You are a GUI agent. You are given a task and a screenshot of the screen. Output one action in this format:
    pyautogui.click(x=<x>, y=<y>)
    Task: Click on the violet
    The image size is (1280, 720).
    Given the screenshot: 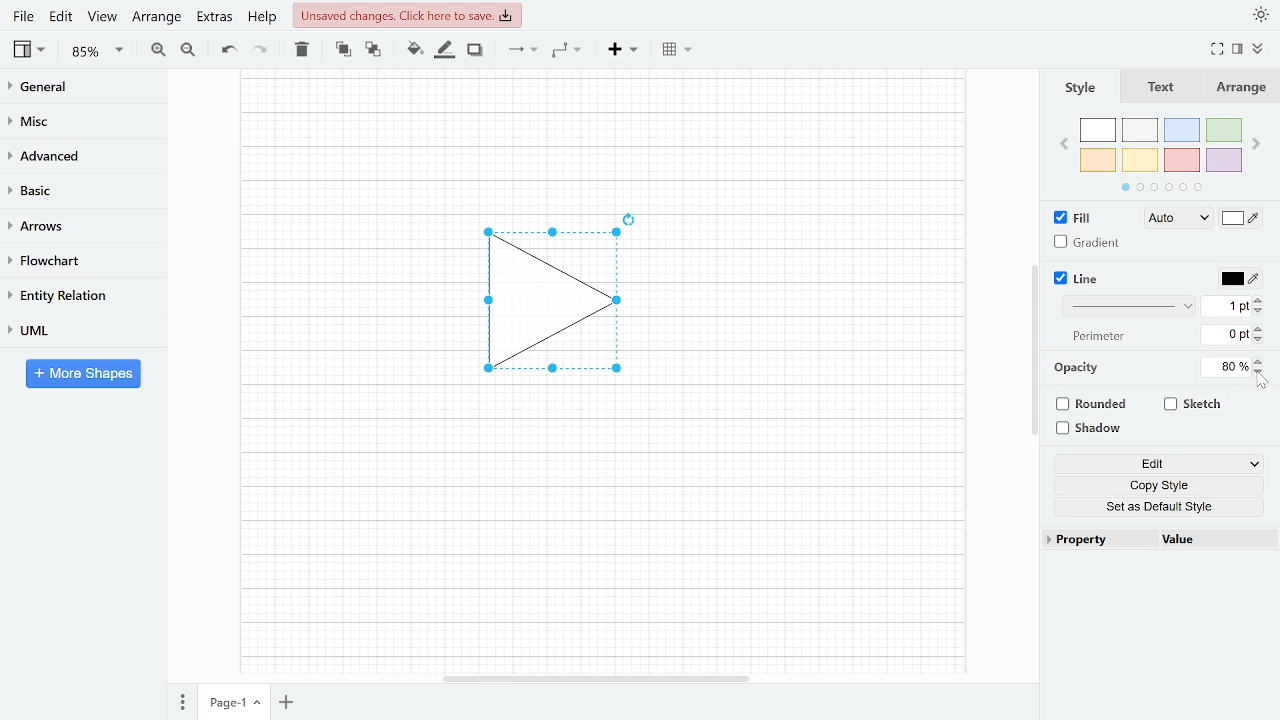 What is the action you would take?
    pyautogui.click(x=1223, y=160)
    